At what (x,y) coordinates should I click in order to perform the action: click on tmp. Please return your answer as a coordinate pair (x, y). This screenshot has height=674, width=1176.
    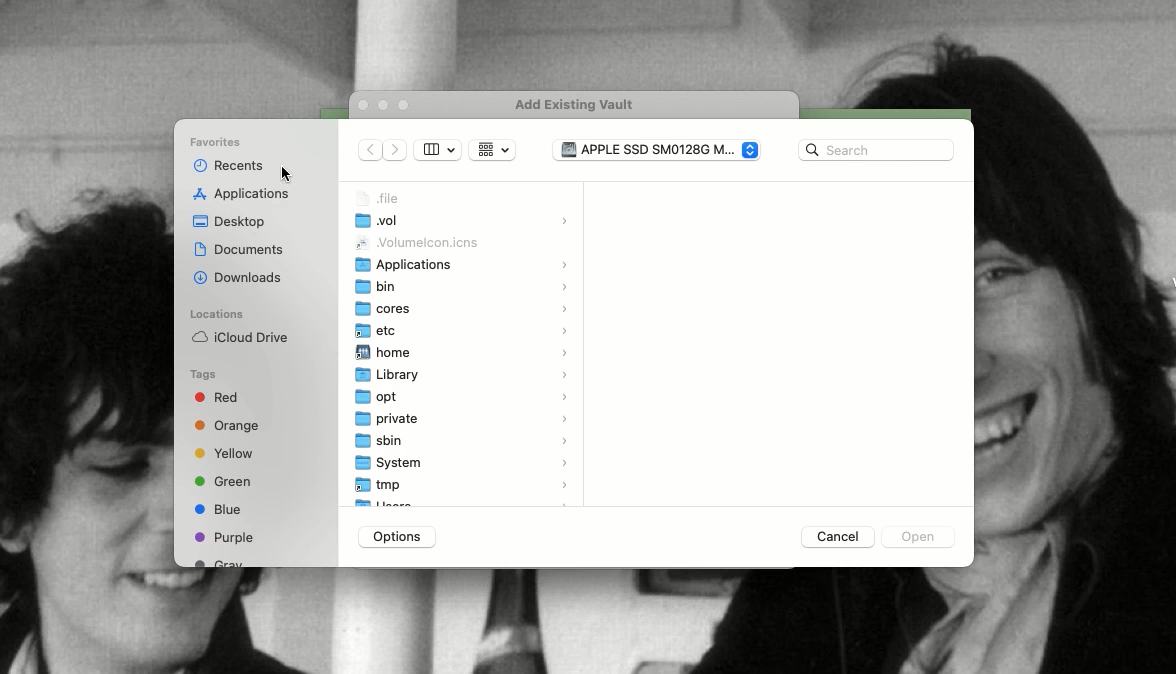
    Looking at the image, I should click on (463, 484).